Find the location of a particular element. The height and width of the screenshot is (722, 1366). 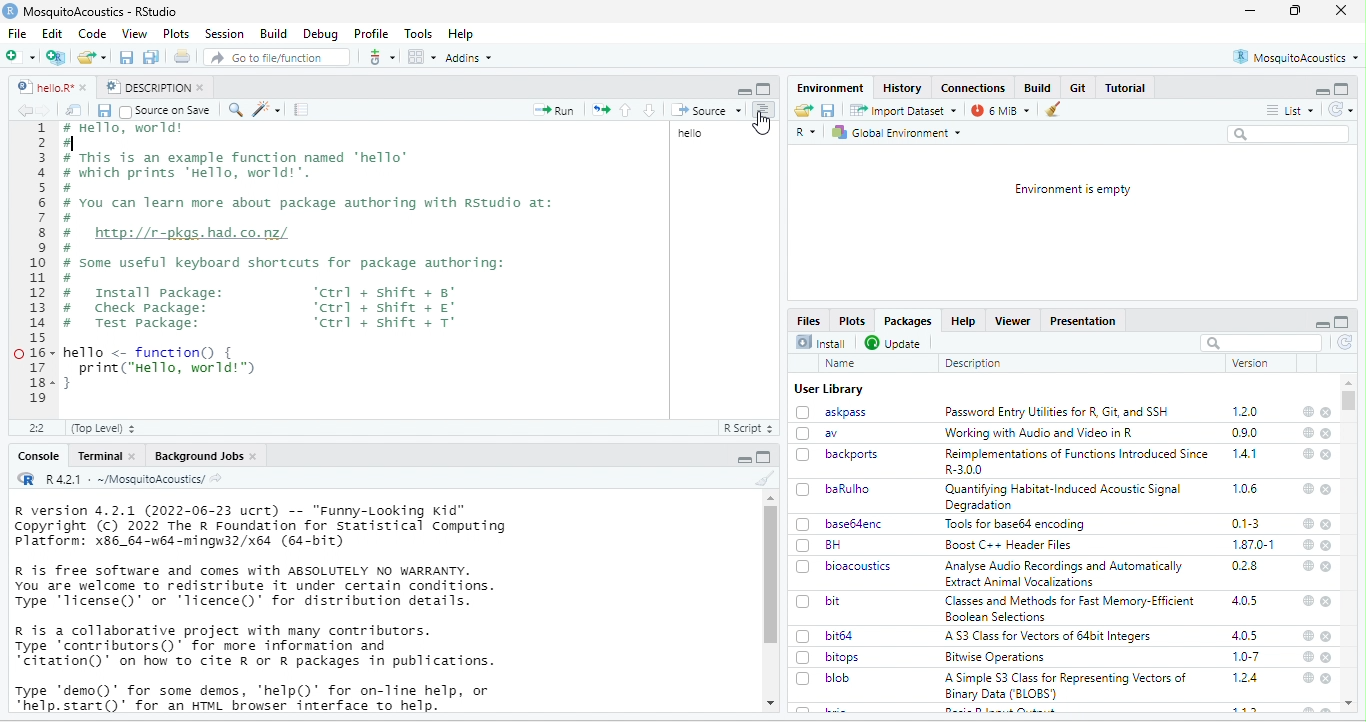

help is located at coordinates (1307, 489).